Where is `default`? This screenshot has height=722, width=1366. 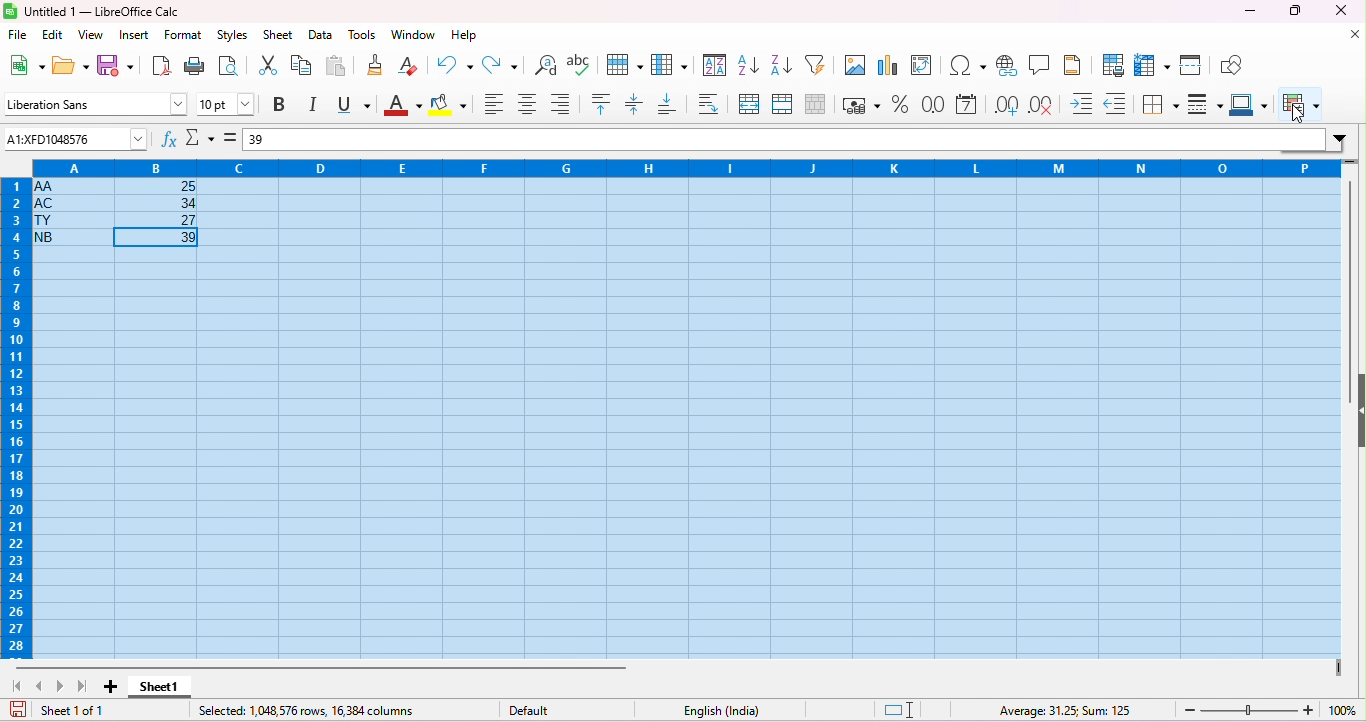
default is located at coordinates (536, 711).